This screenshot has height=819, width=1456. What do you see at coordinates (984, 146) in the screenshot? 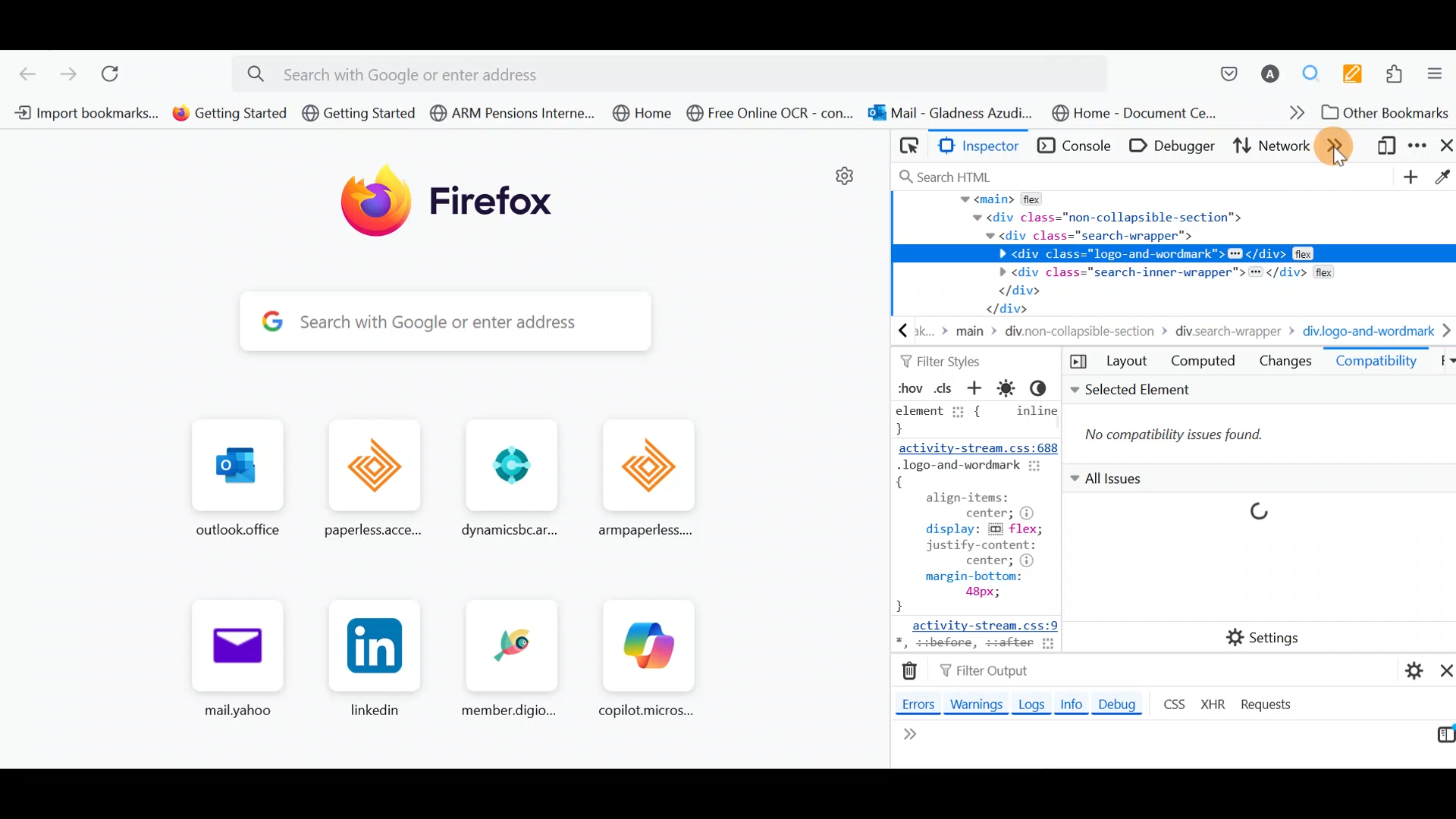
I see `Inspector` at bounding box center [984, 146].